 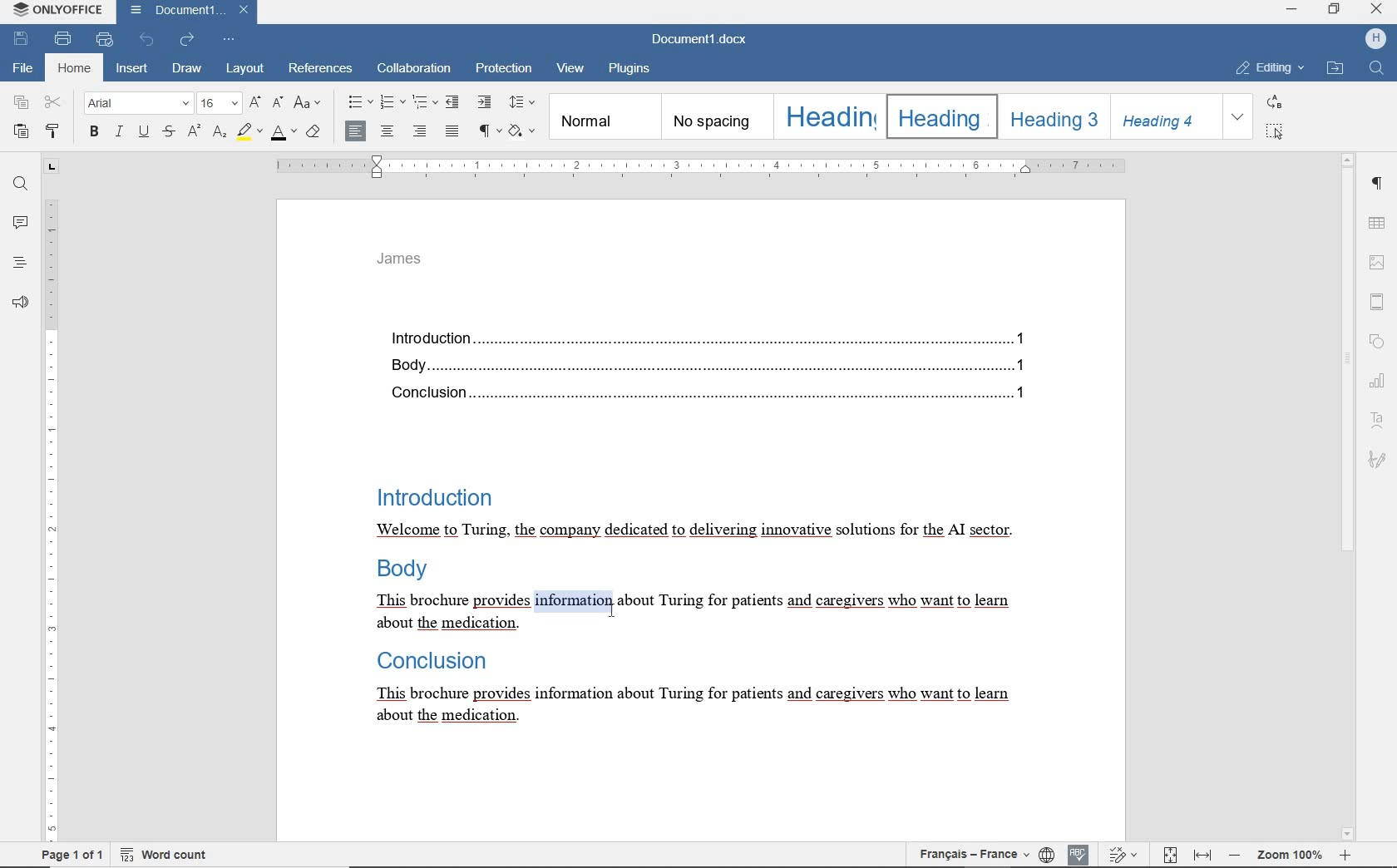 What do you see at coordinates (503, 70) in the screenshot?
I see `PROTECTION` at bounding box center [503, 70].